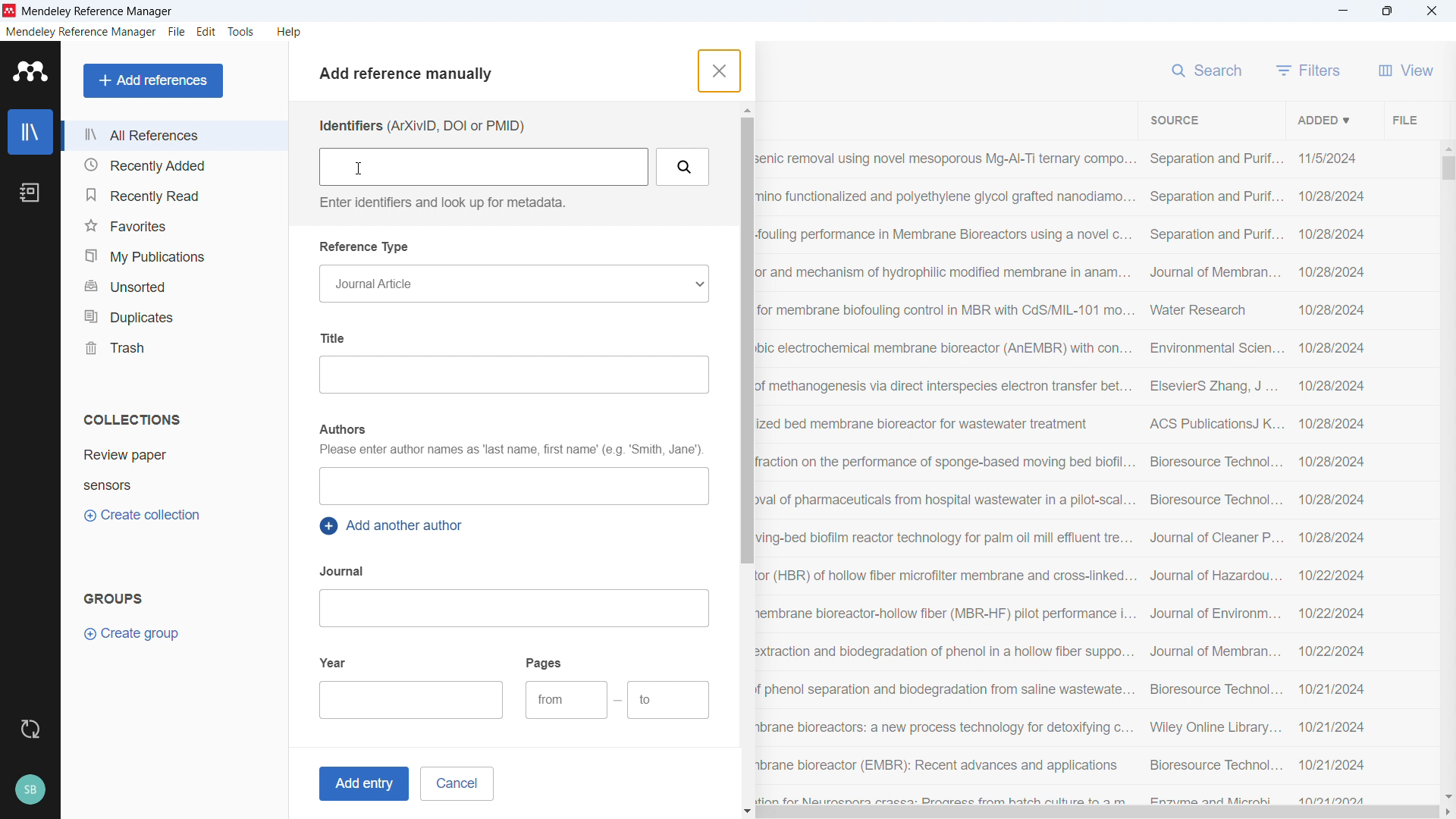  Describe the element at coordinates (1447, 147) in the screenshot. I see `Scroll up ` at that location.